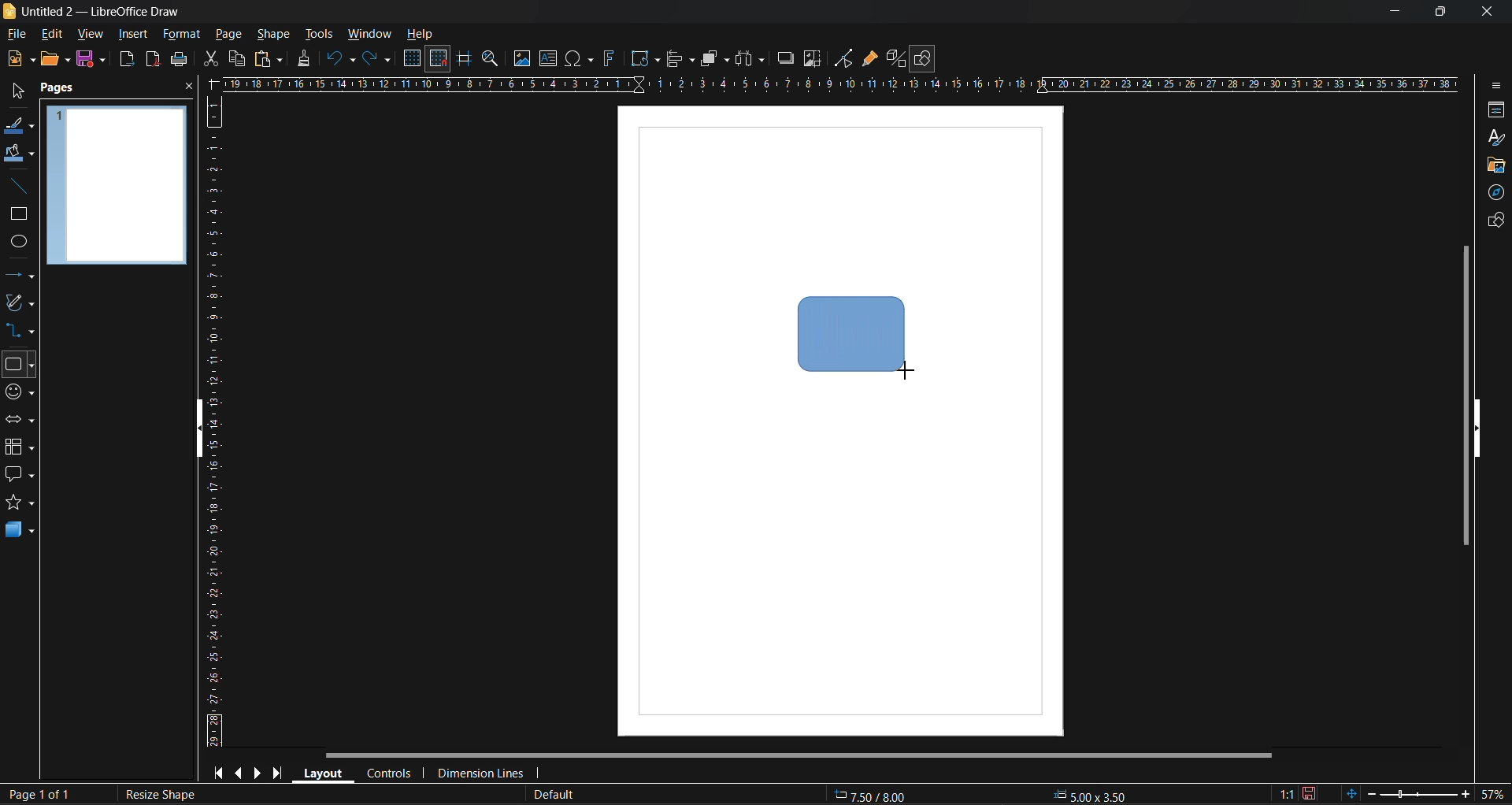 The width and height of the screenshot is (1512, 805). Describe the element at coordinates (894, 58) in the screenshot. I see `toggle extrusion` at that location.